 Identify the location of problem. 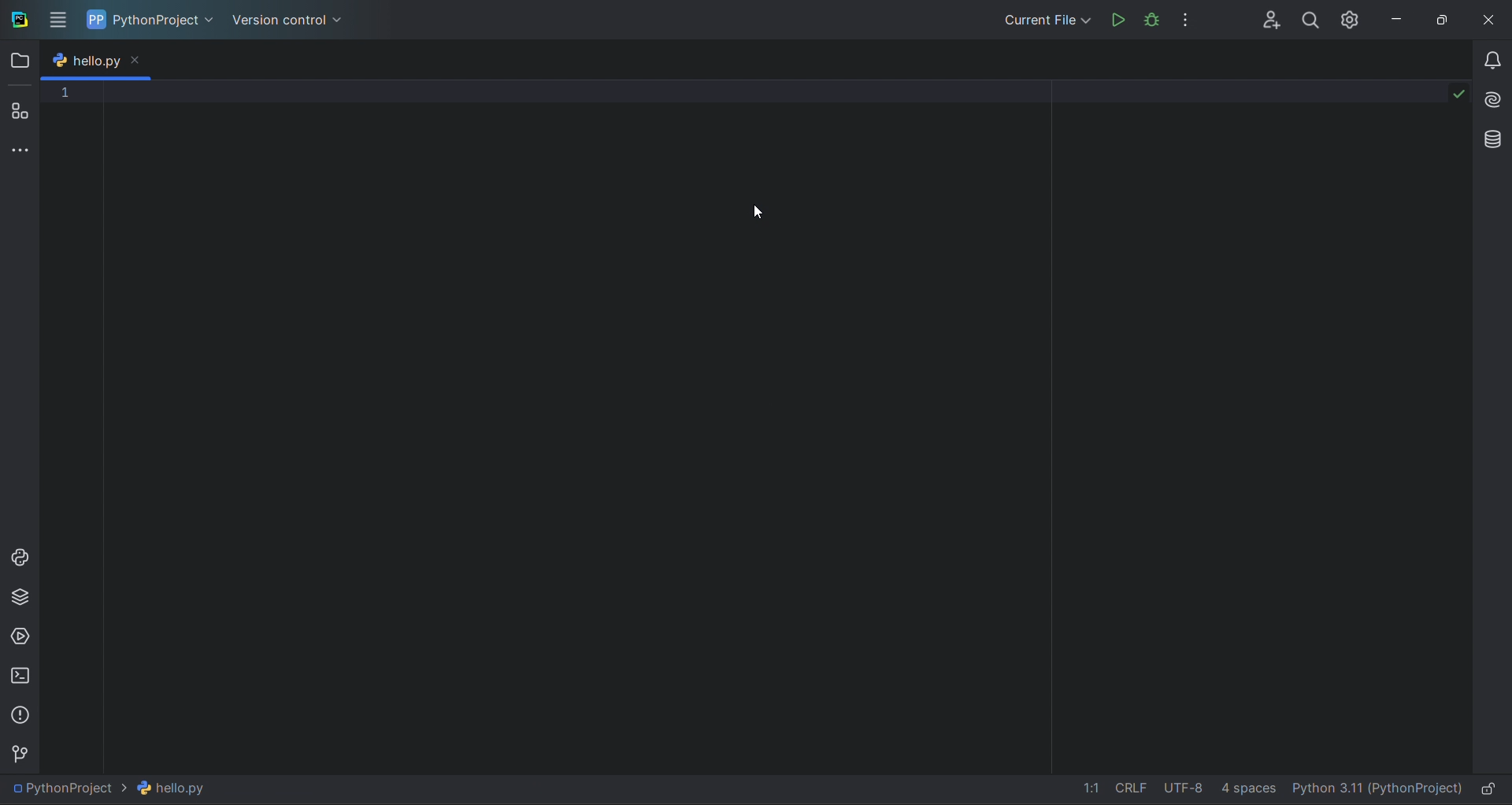
(20, 713).